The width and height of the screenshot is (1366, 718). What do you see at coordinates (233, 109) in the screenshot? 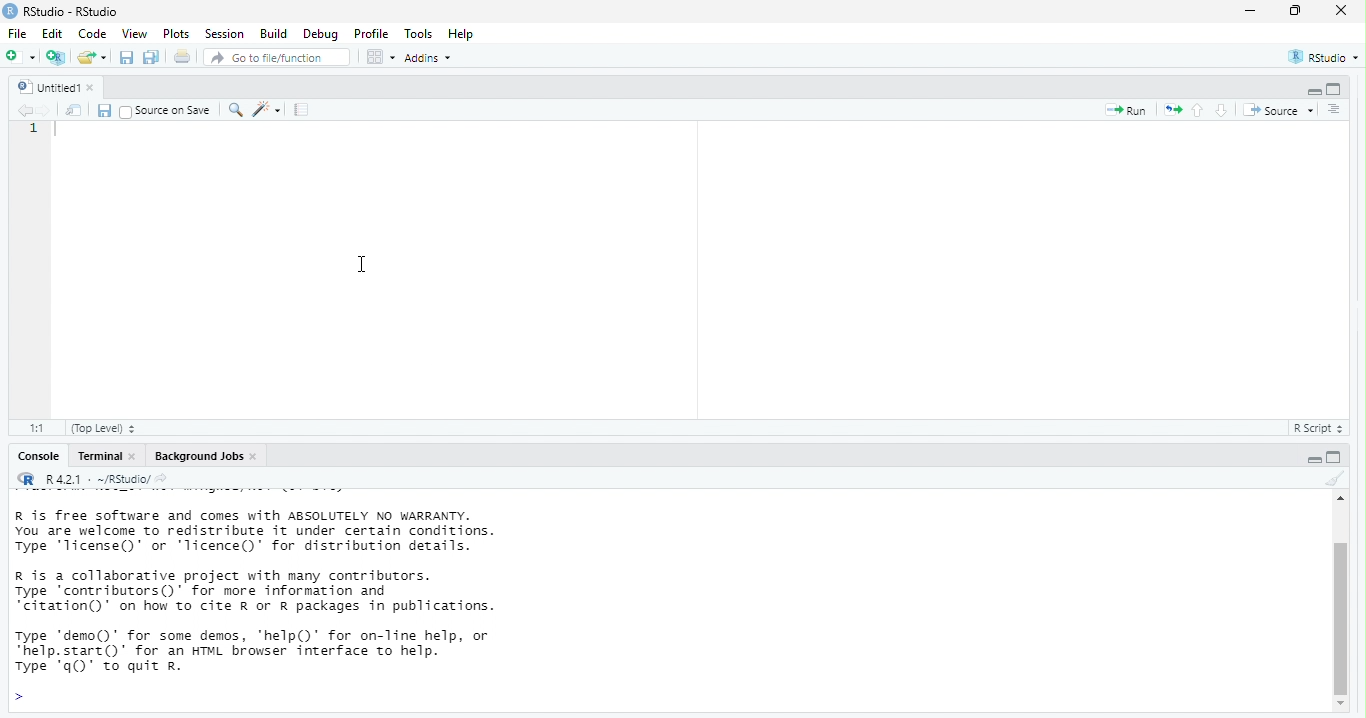
I see `find/replace` at bounding box center [233, 109].